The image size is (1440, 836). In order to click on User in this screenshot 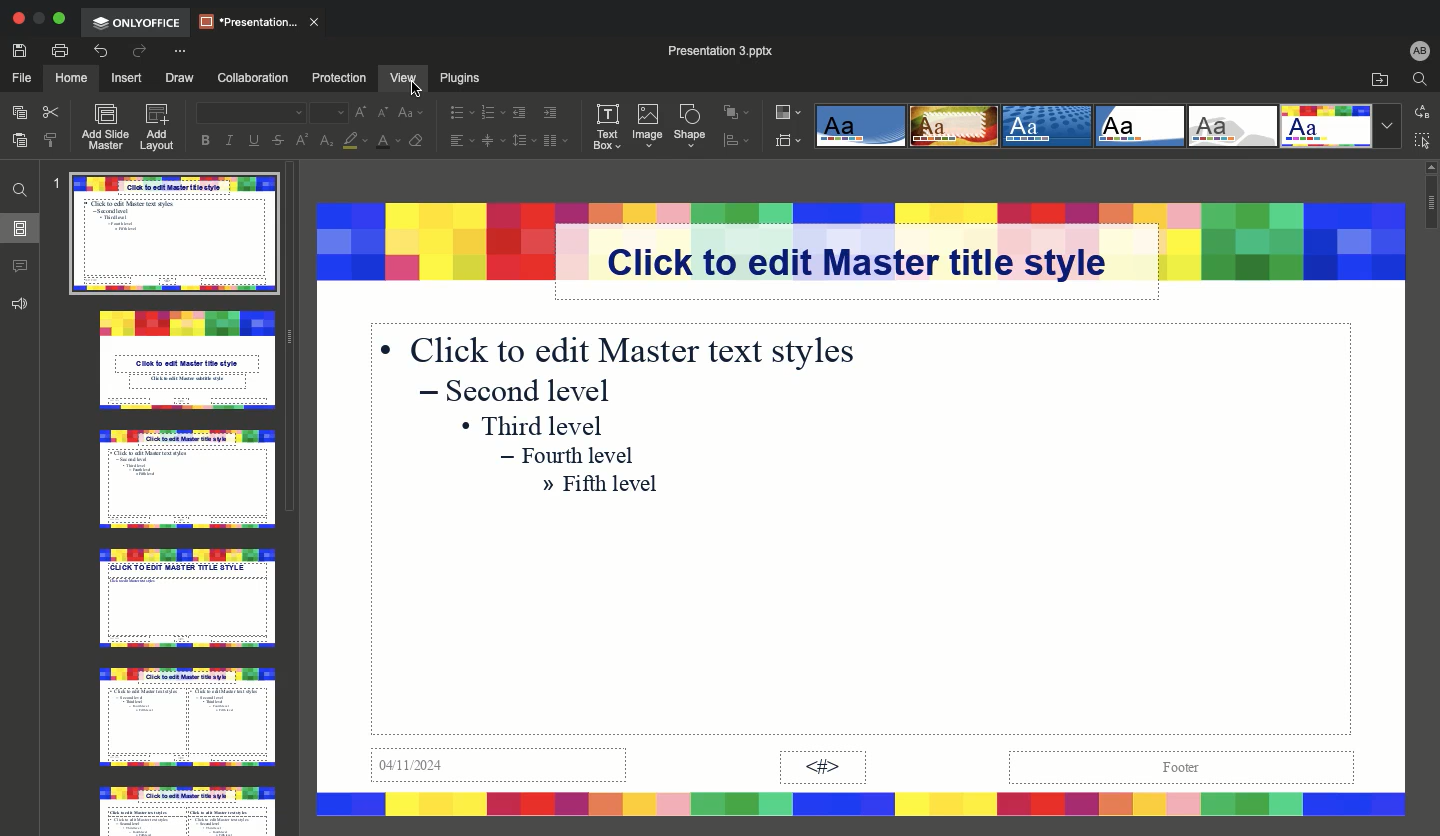, I will do `click(1418, 49)`.